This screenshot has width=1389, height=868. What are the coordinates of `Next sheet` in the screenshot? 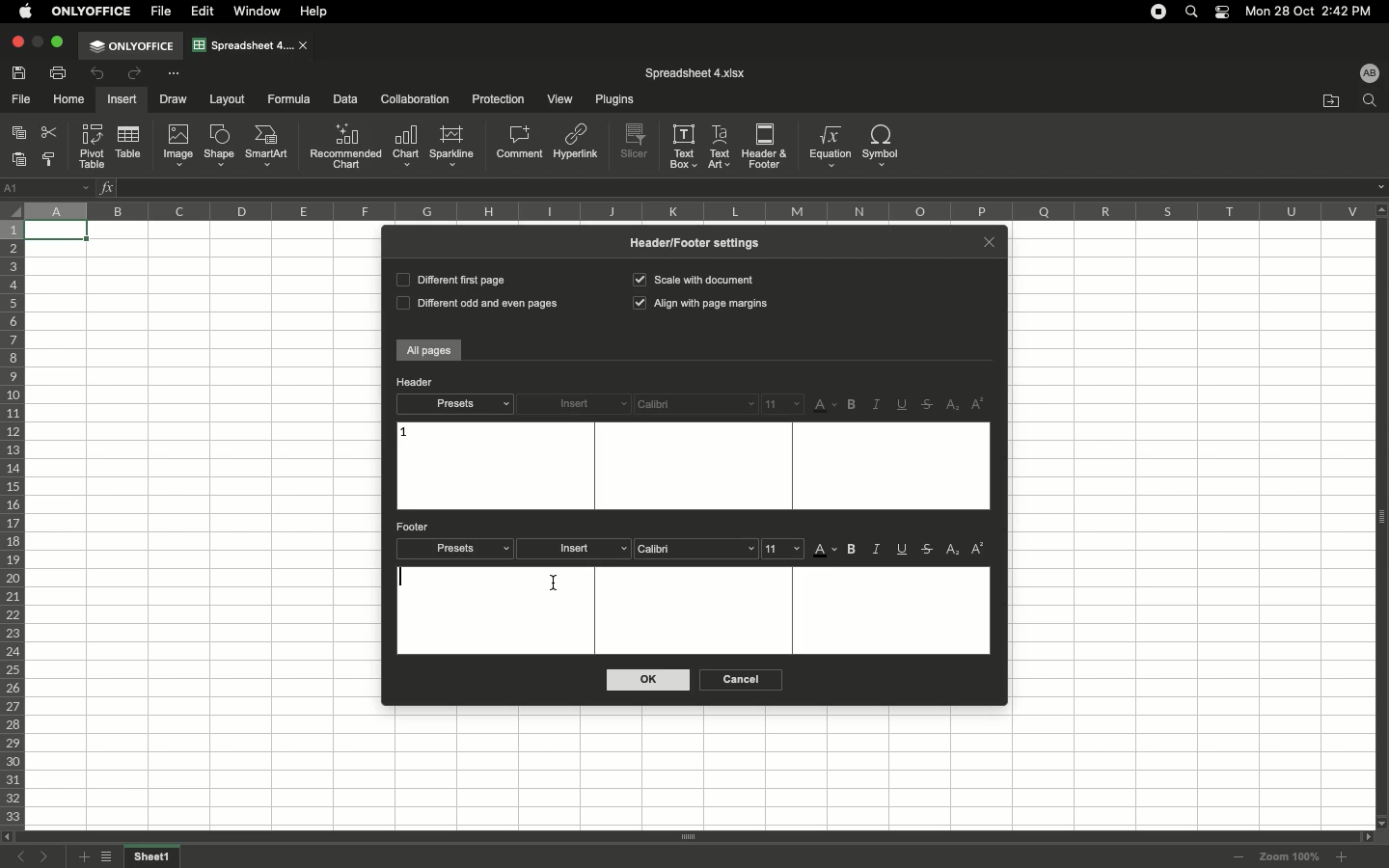 It's located at (49, 857).